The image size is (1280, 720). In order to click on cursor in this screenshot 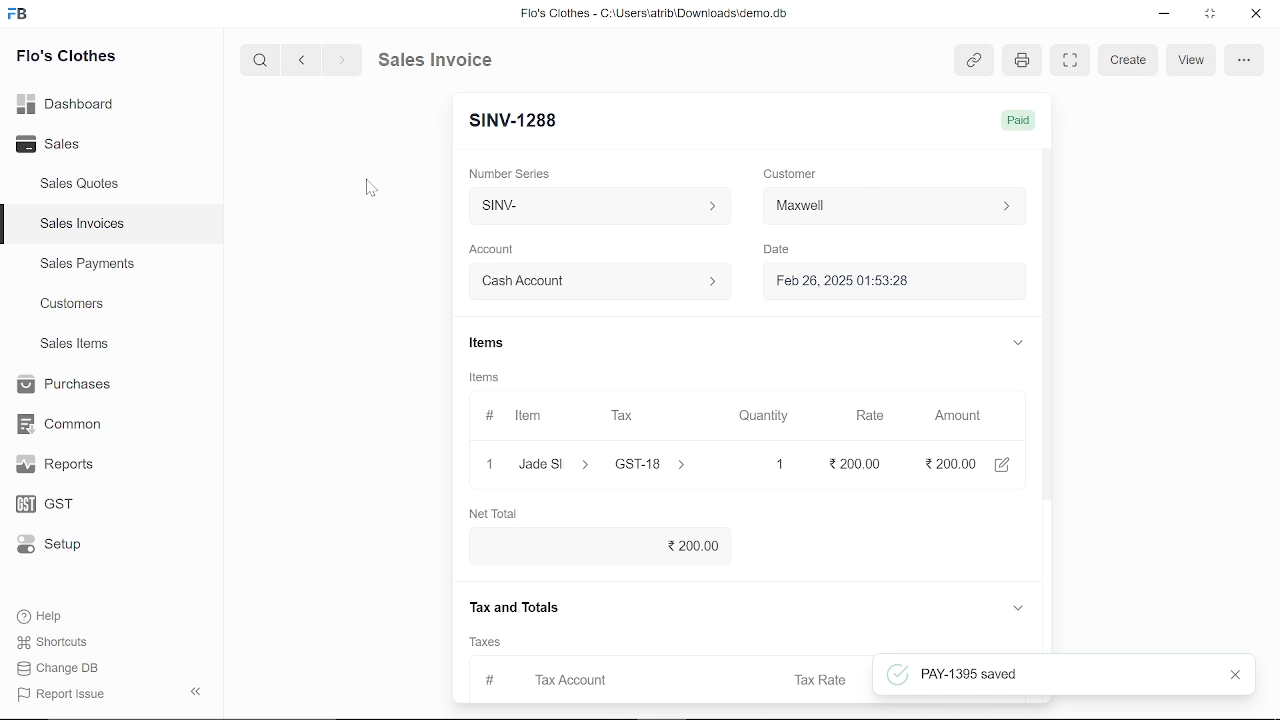, I will do `click(373, 189)`.